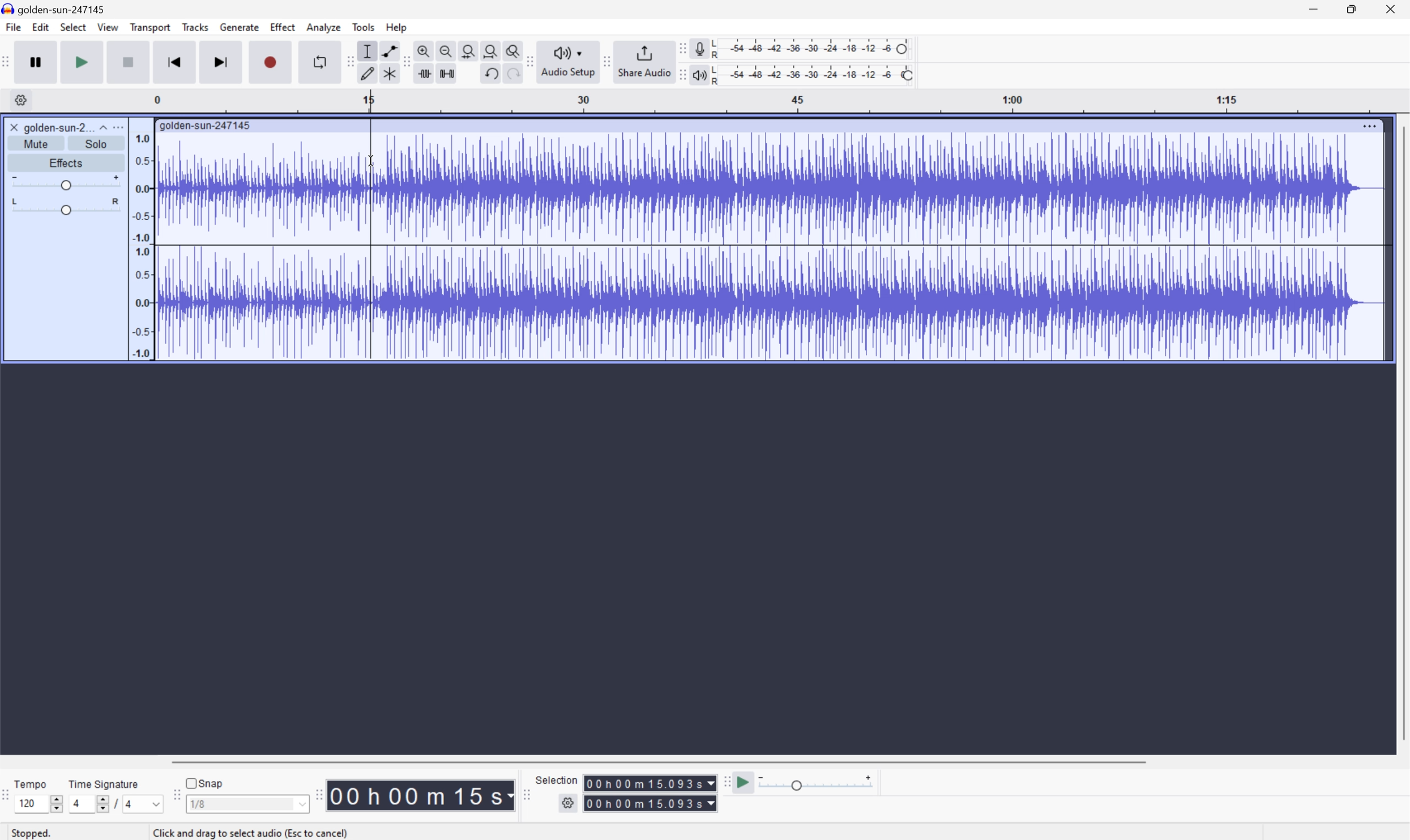 The image size is (1410, 840). I want to click on Slider, so click(54, 802).